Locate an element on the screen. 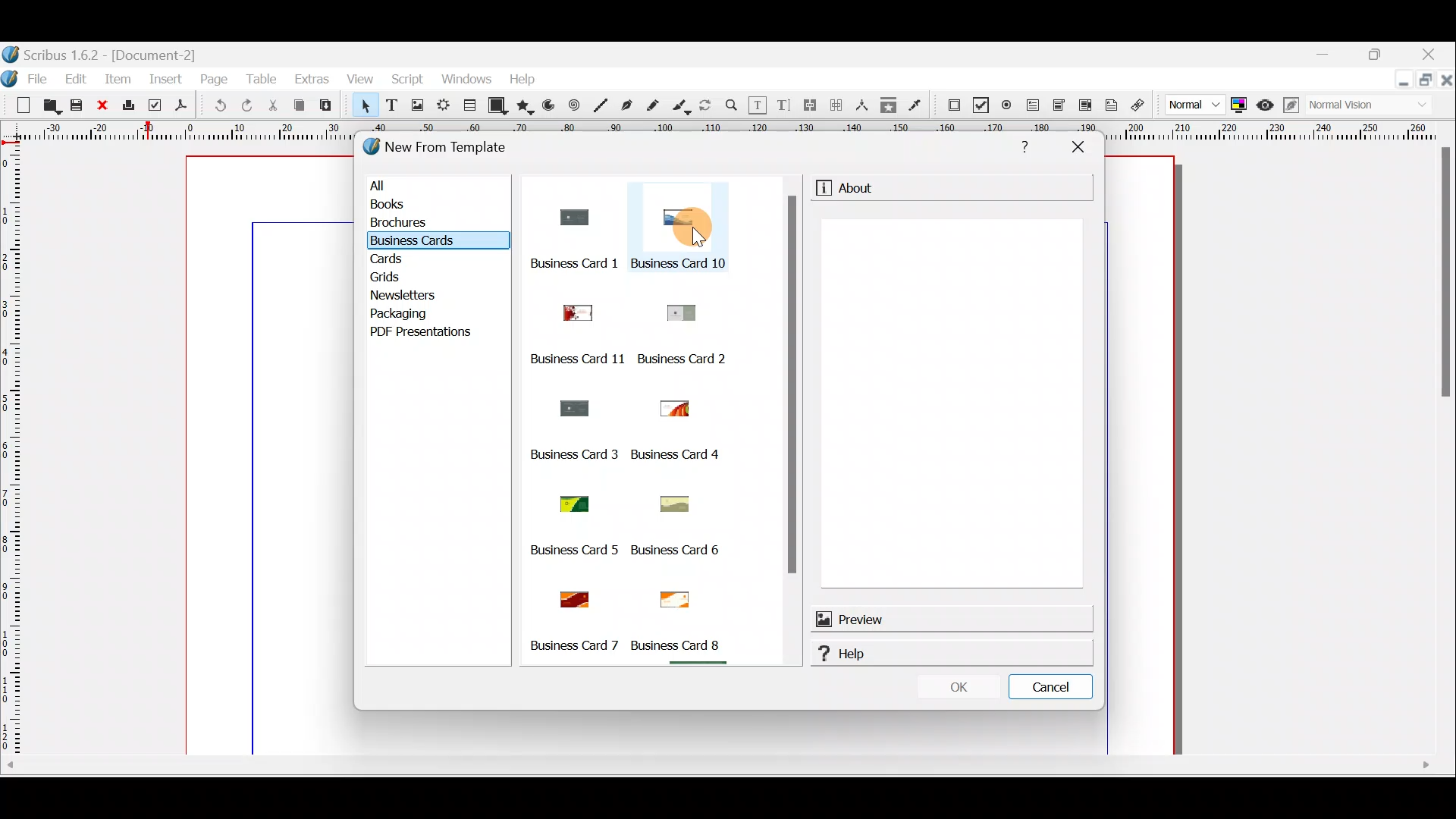  Measurements is located at coordinates (863, 105).